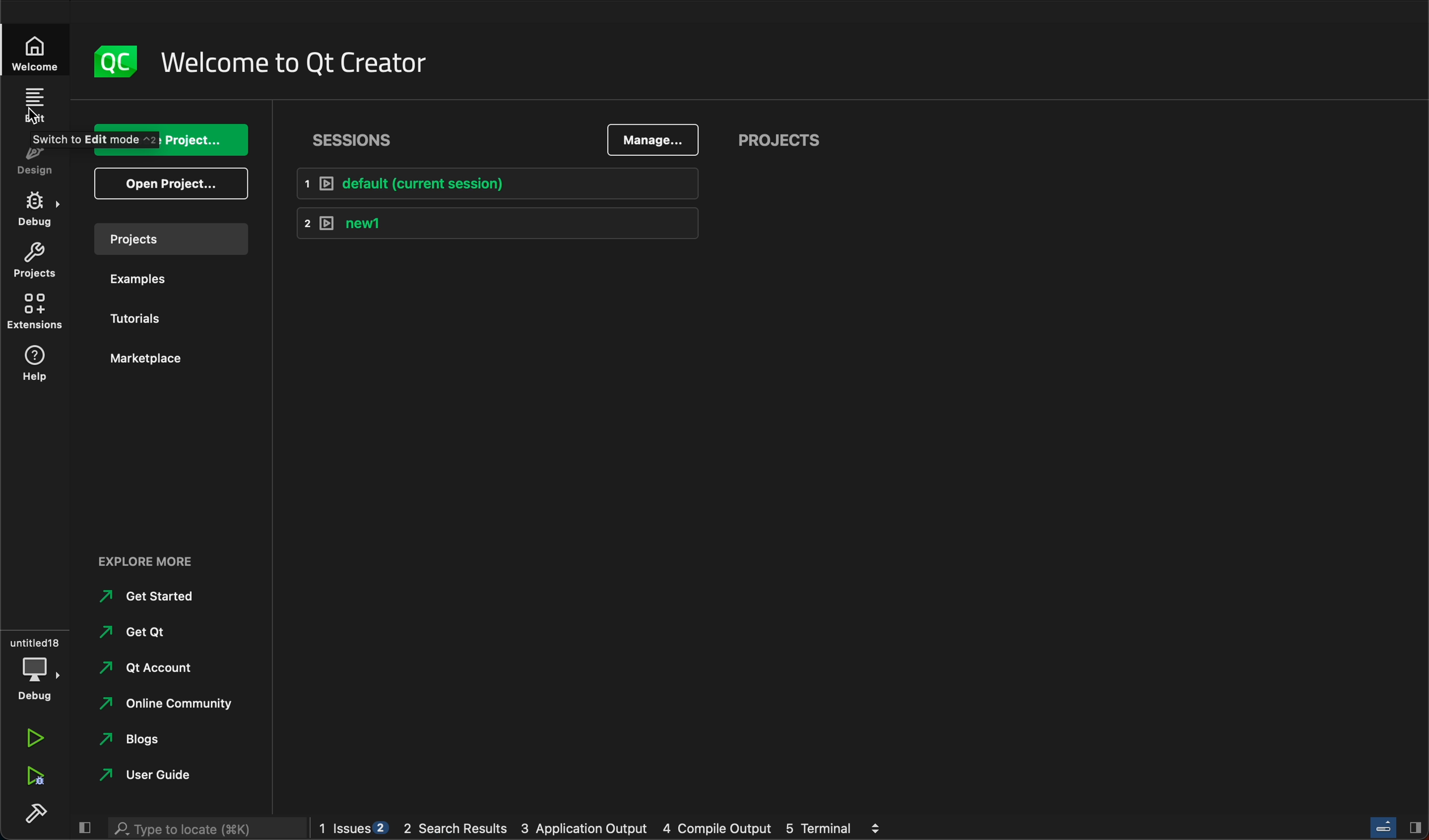 This screenshot has height=840, width=1429. Describe the element at coordinates (156, 775) in the screenshot. I see `user guide` at that location.